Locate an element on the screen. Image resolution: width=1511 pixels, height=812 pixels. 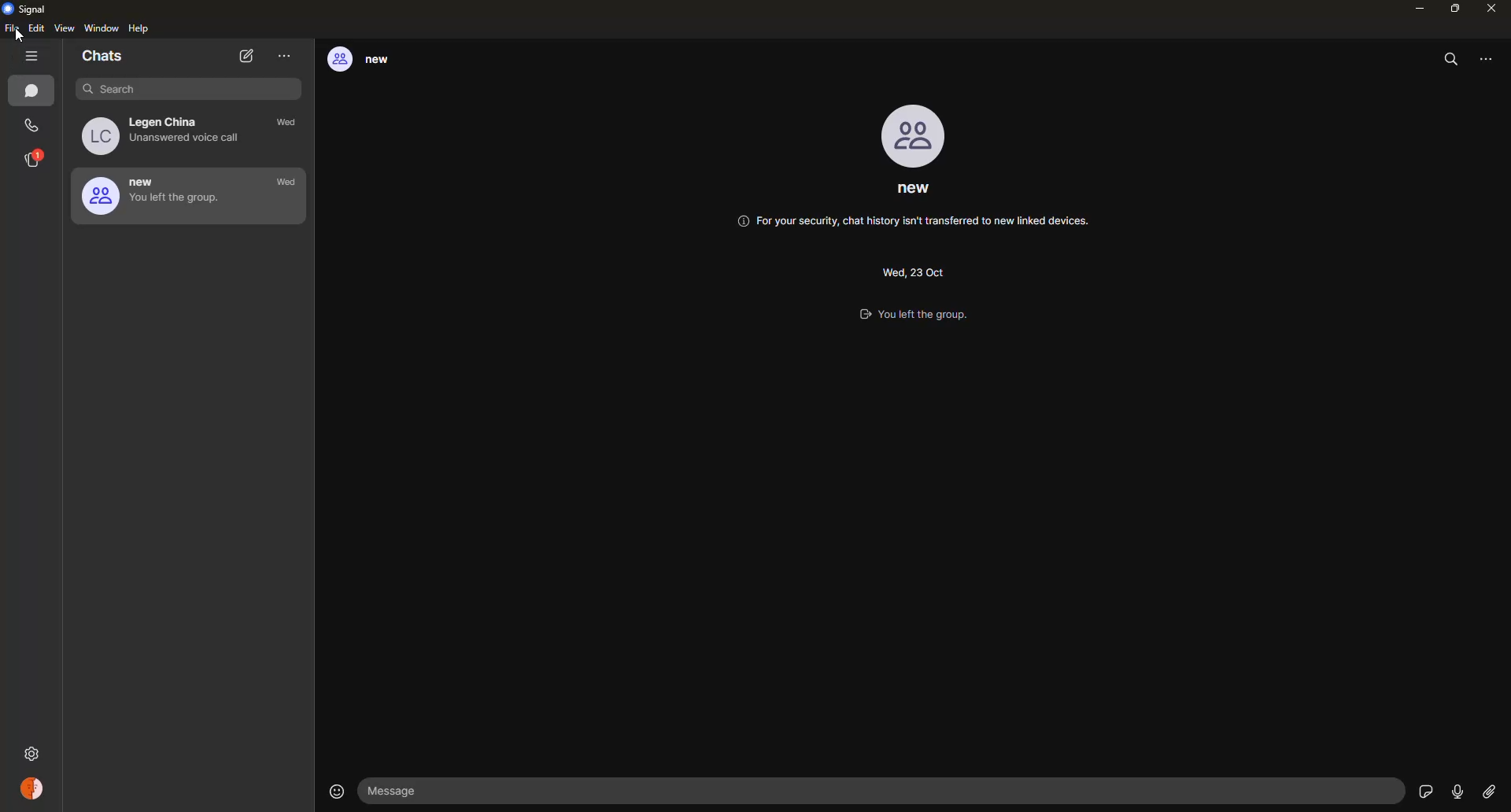
Legen China is located at coordinates (168, 135).